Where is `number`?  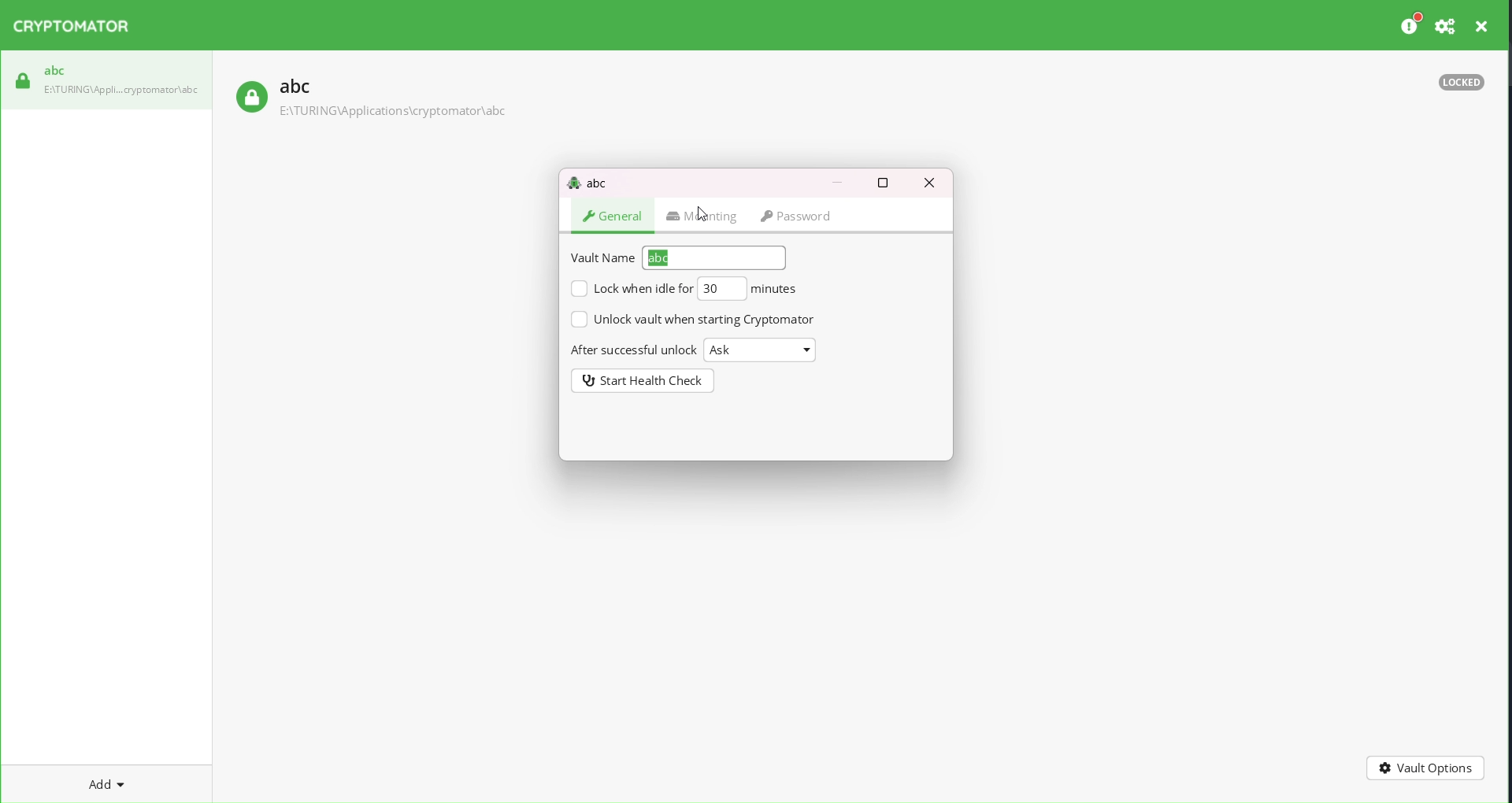 number is located at coordinates (724, 287).